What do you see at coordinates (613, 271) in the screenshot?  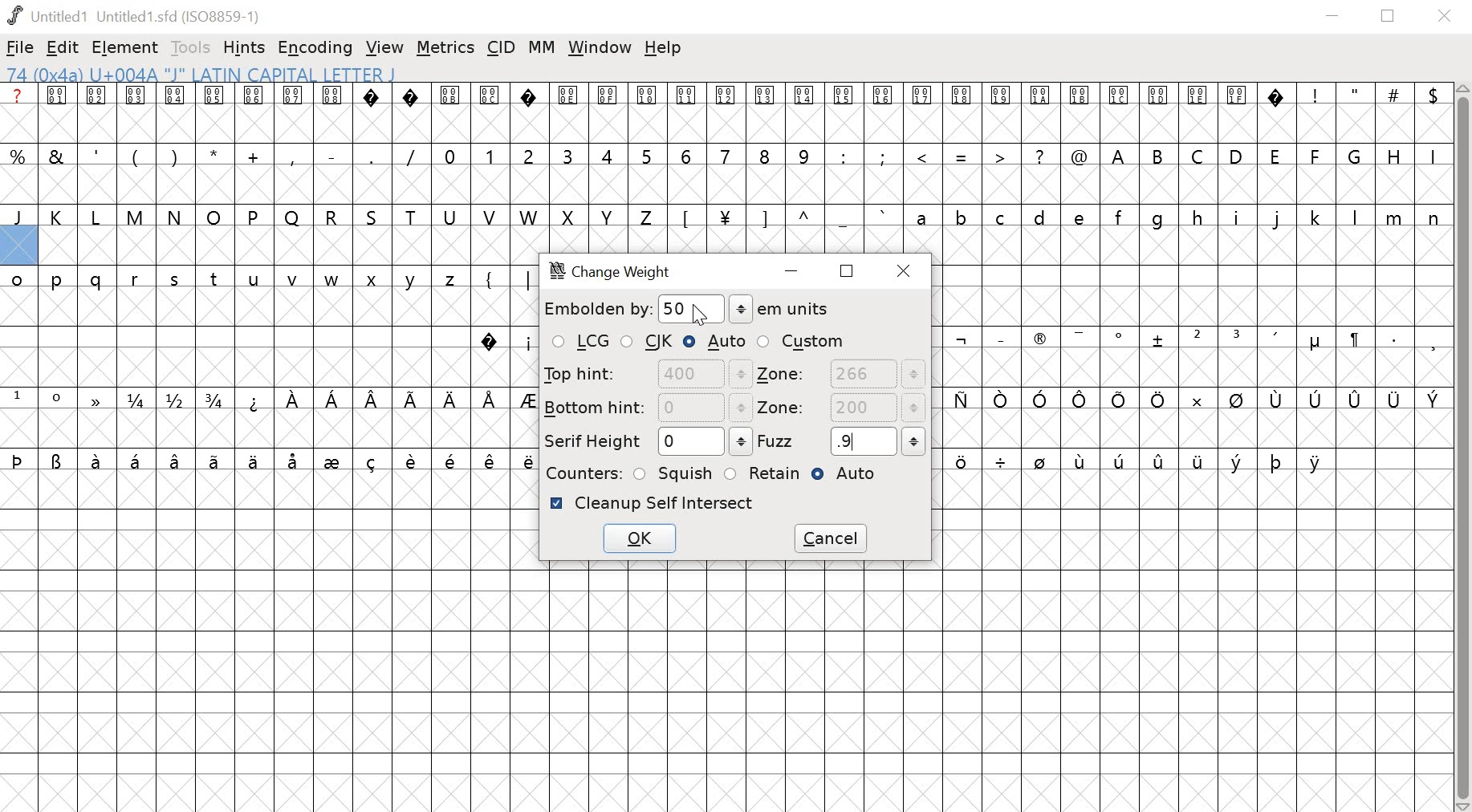 I see `change weight` at bounding box center [613, 271].